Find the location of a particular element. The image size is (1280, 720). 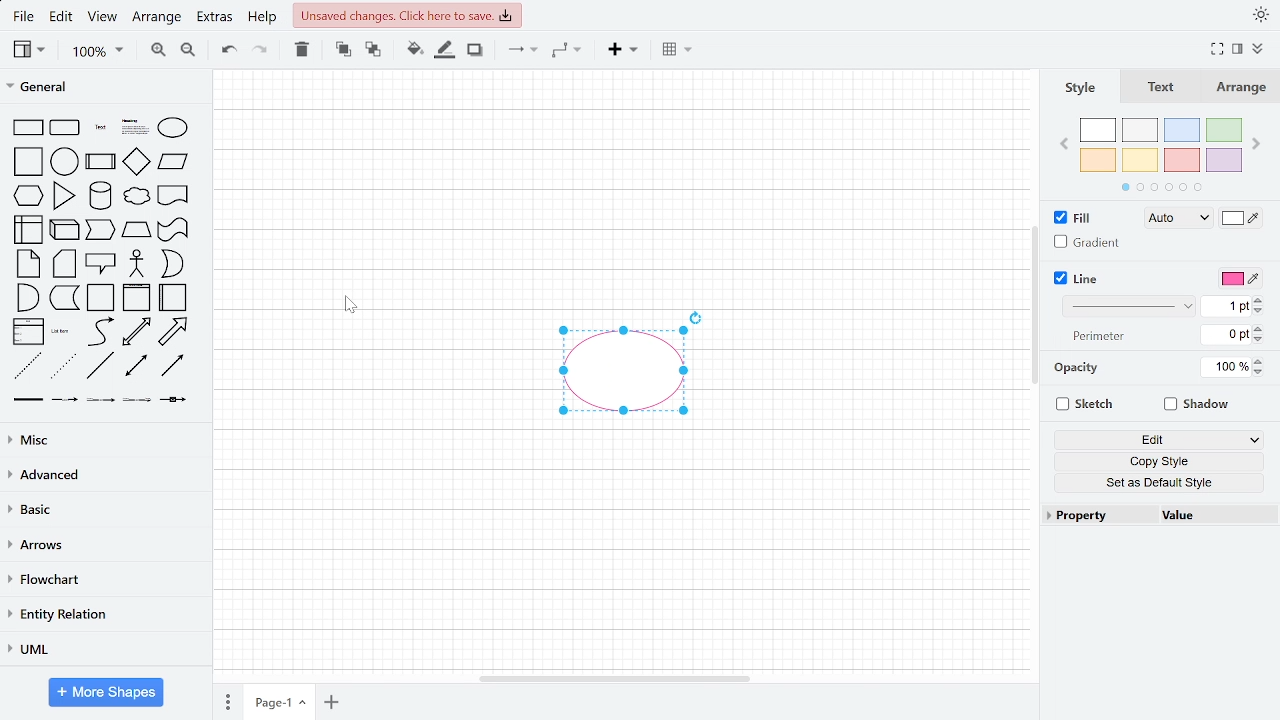

parallelogram is located at coordinates (175, 163).